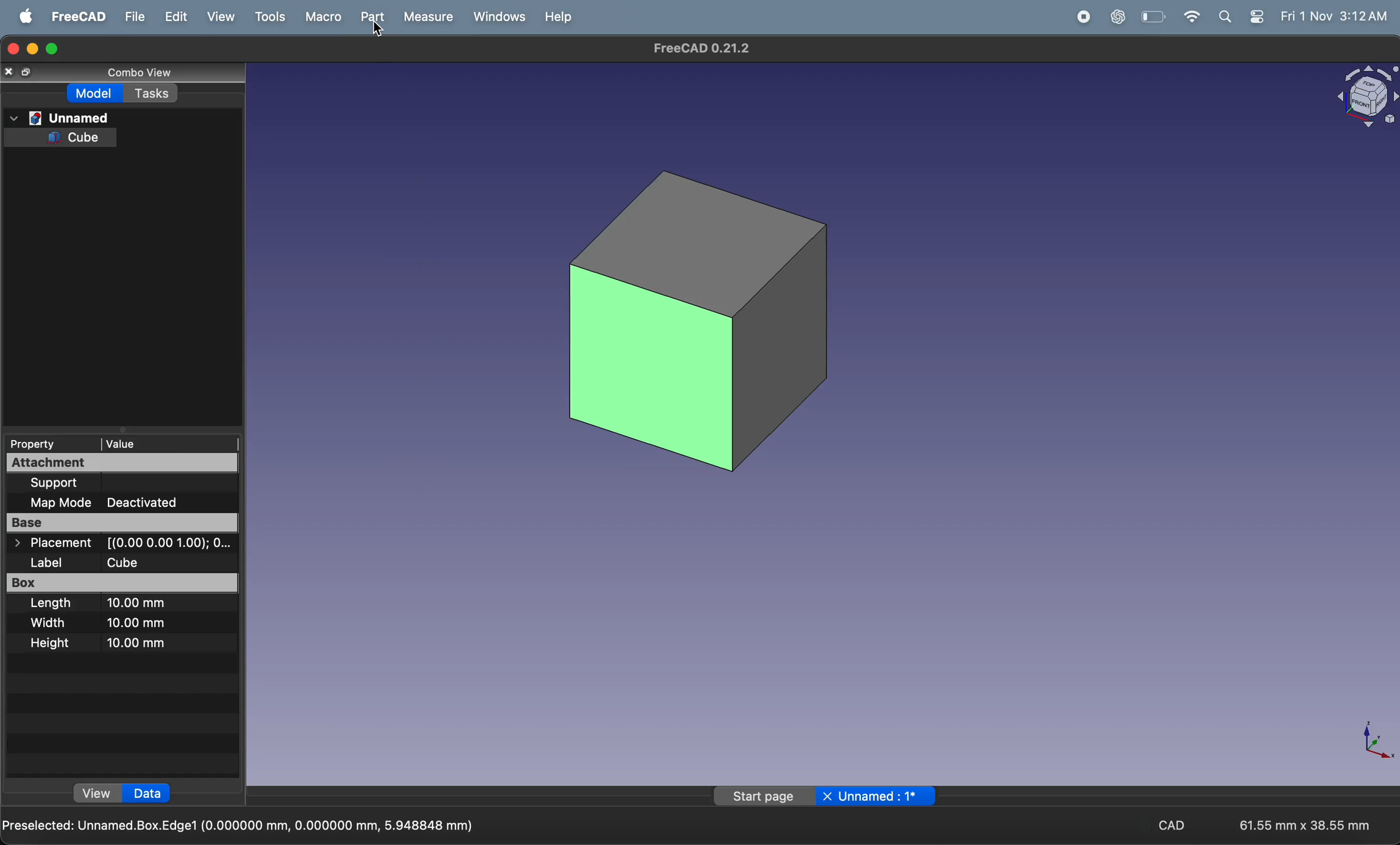 This screenshot has width=1400, height=845. What do you see at coordinates (220, 16) in the screenshot?
I see `view` at bounding box center [220, 16].